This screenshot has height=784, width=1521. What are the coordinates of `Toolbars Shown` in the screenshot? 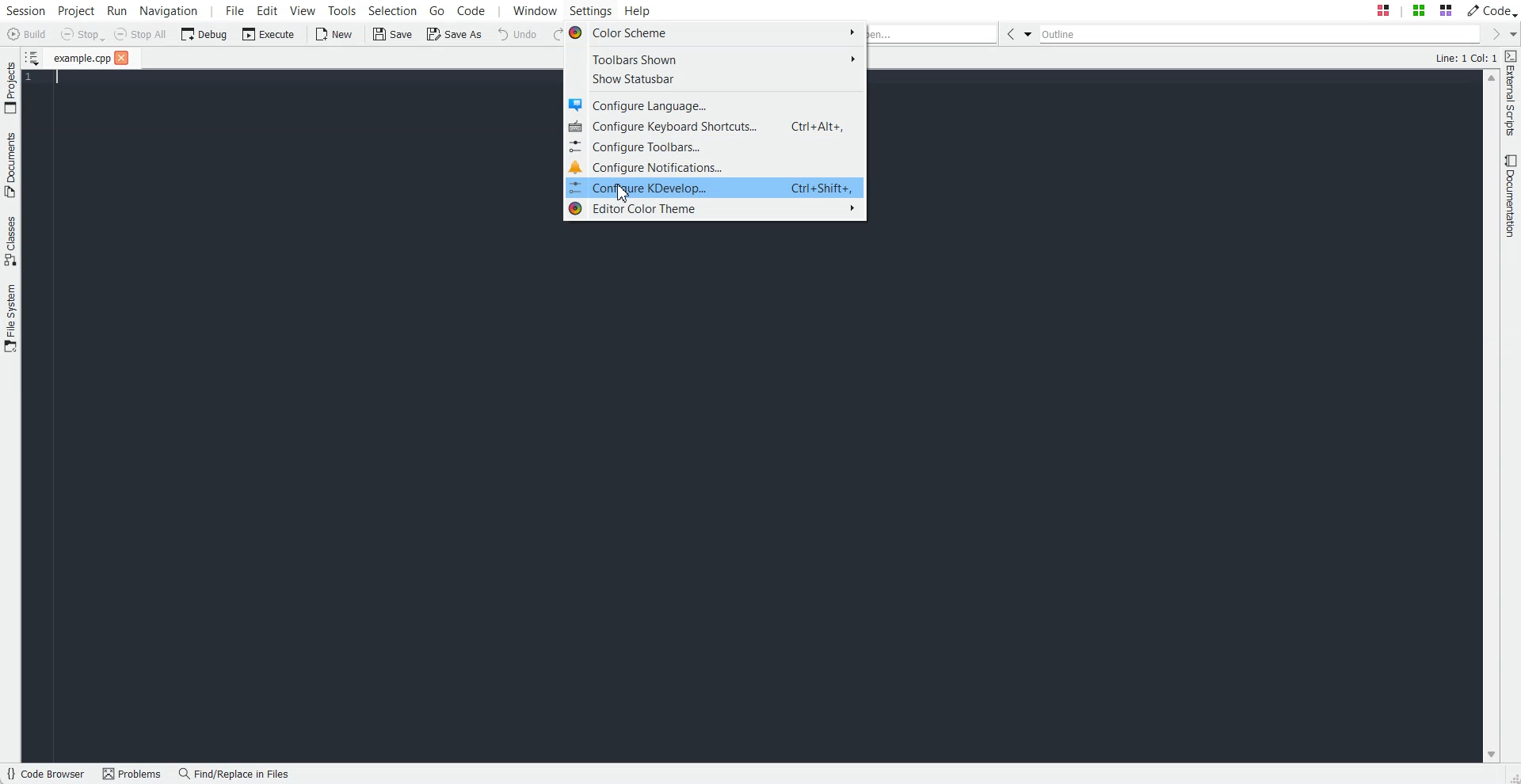 It's located at (715, 58).